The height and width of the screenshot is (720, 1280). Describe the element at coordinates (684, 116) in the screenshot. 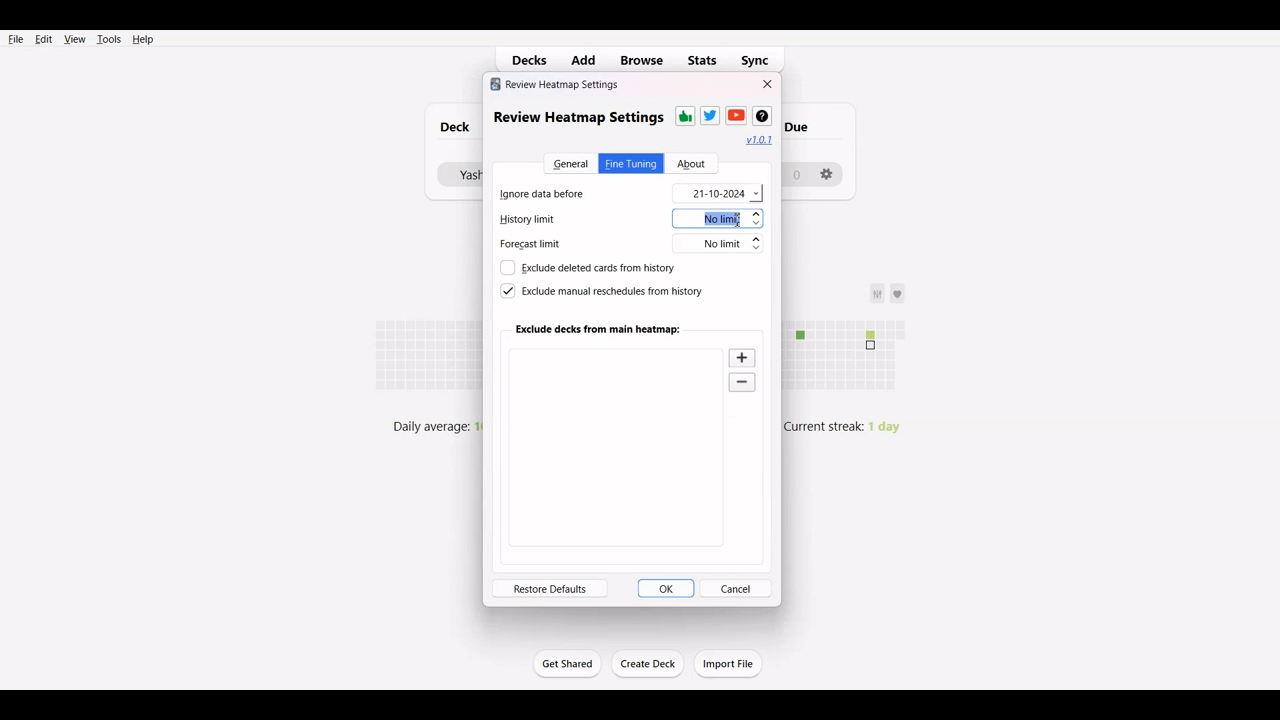

I see `Thums-up` at that location.